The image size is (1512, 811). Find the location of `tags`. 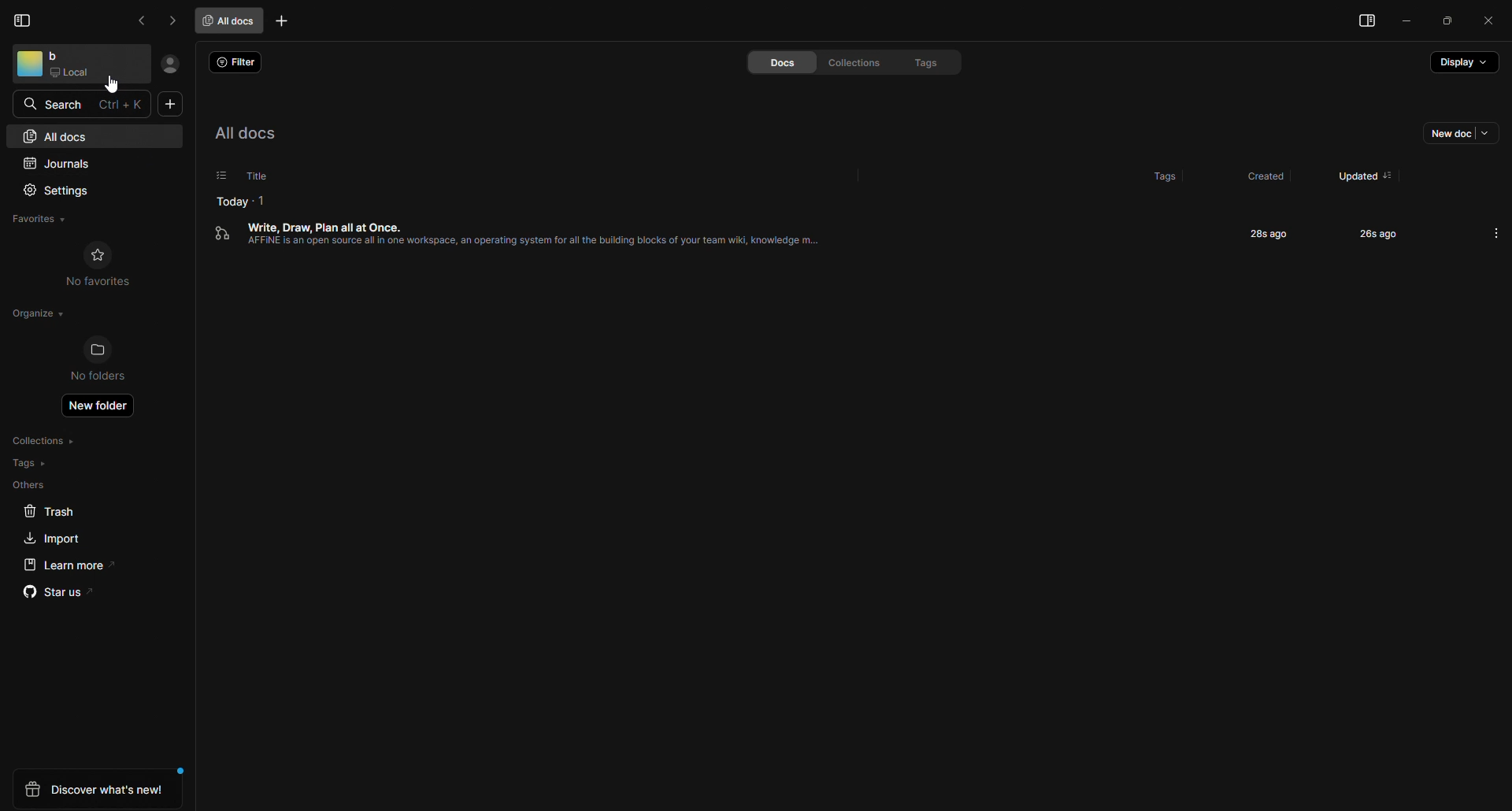

tags is located at coordinates (1149, 172).